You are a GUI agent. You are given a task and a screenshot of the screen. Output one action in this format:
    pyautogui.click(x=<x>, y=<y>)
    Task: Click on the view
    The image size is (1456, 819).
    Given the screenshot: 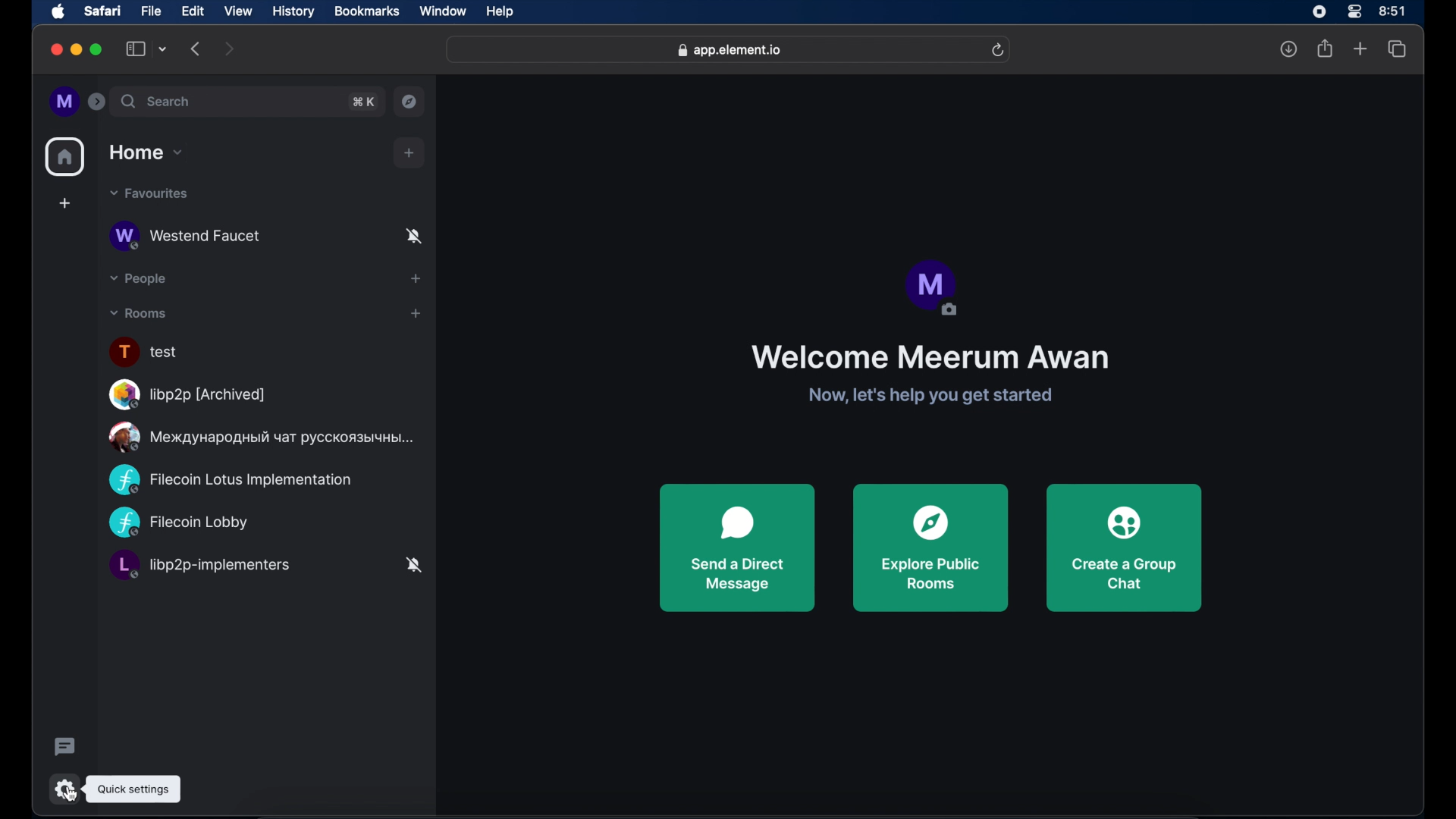 What is the action you would take?
    pyautogui.click(x=238, y=11)
    